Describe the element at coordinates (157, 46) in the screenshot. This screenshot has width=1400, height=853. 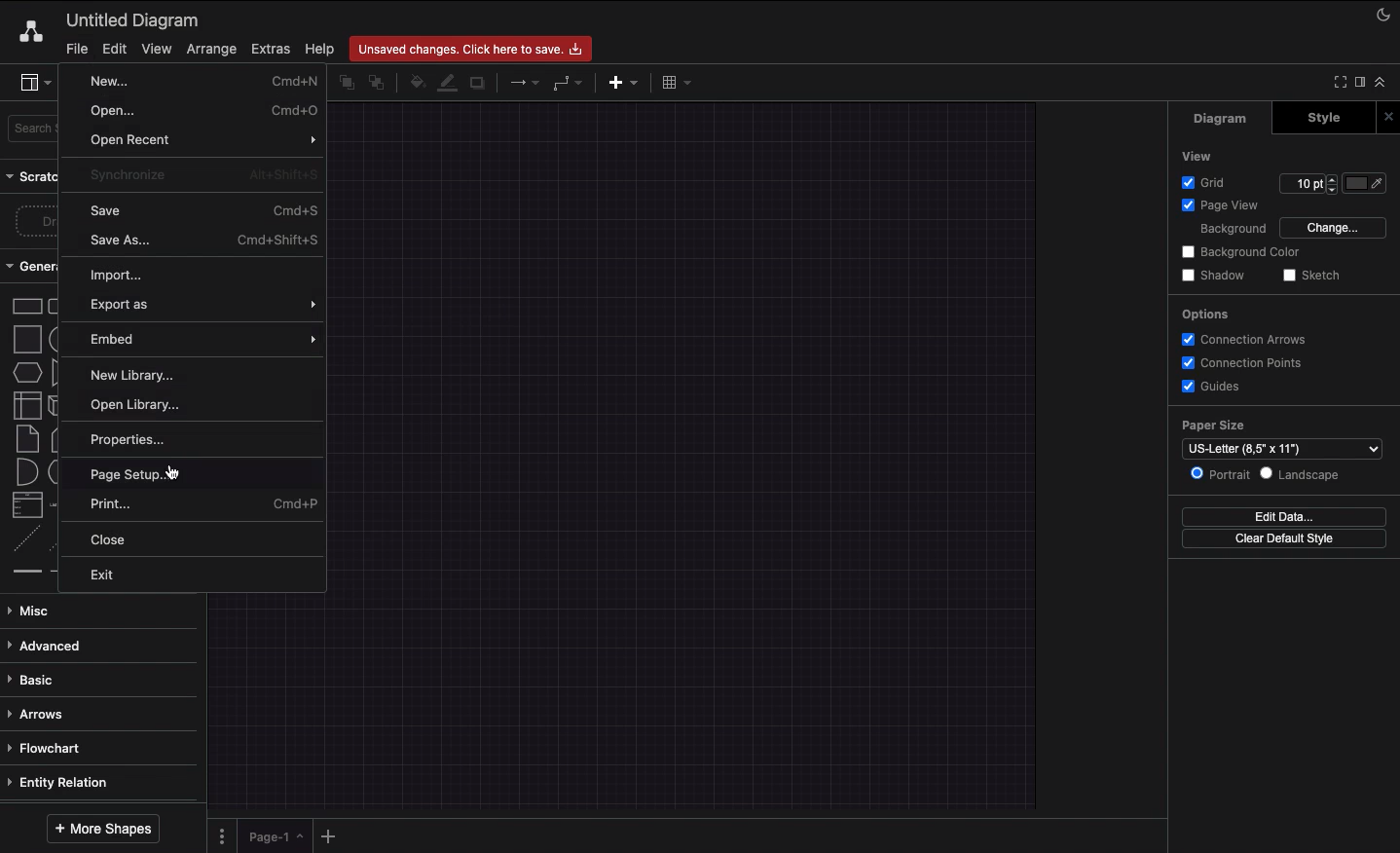
I see `View` at that location.